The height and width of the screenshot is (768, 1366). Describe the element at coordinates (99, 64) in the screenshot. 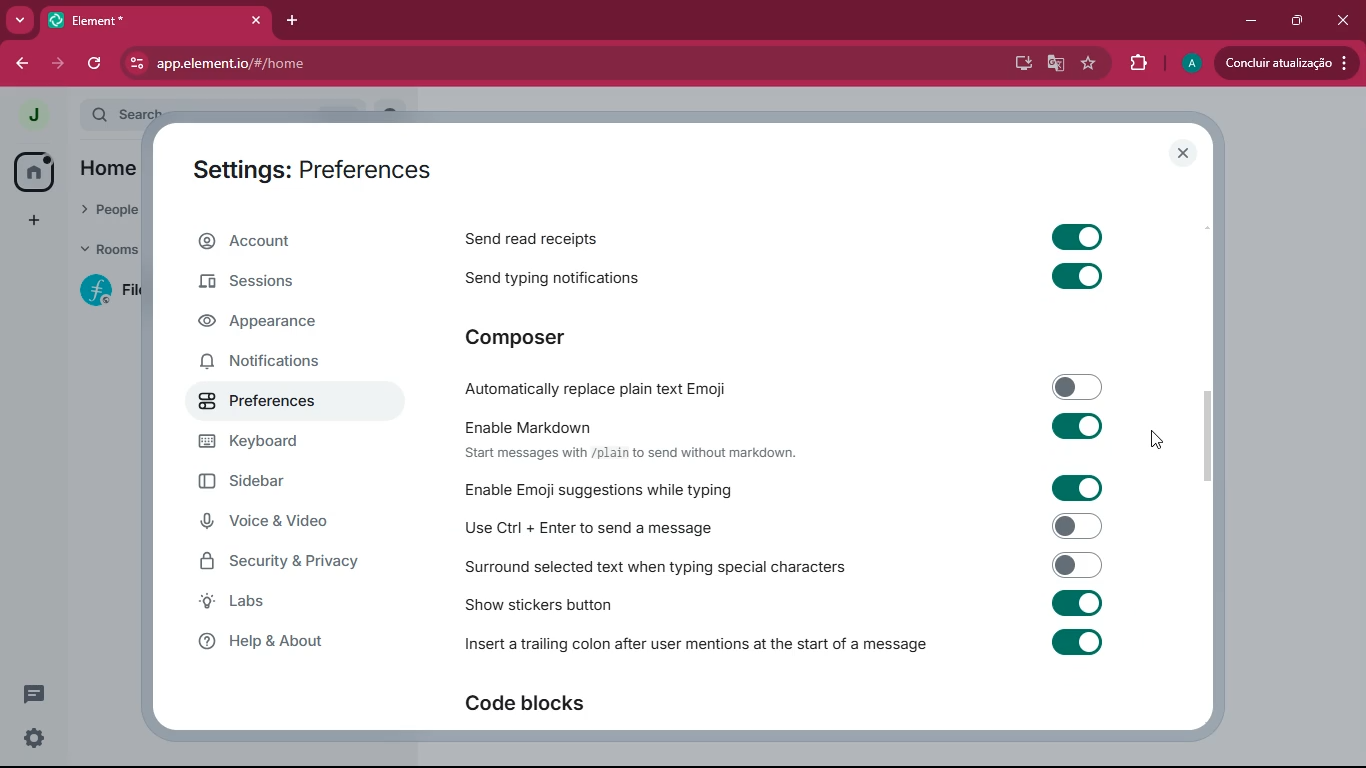

I see `refresh` at that location.